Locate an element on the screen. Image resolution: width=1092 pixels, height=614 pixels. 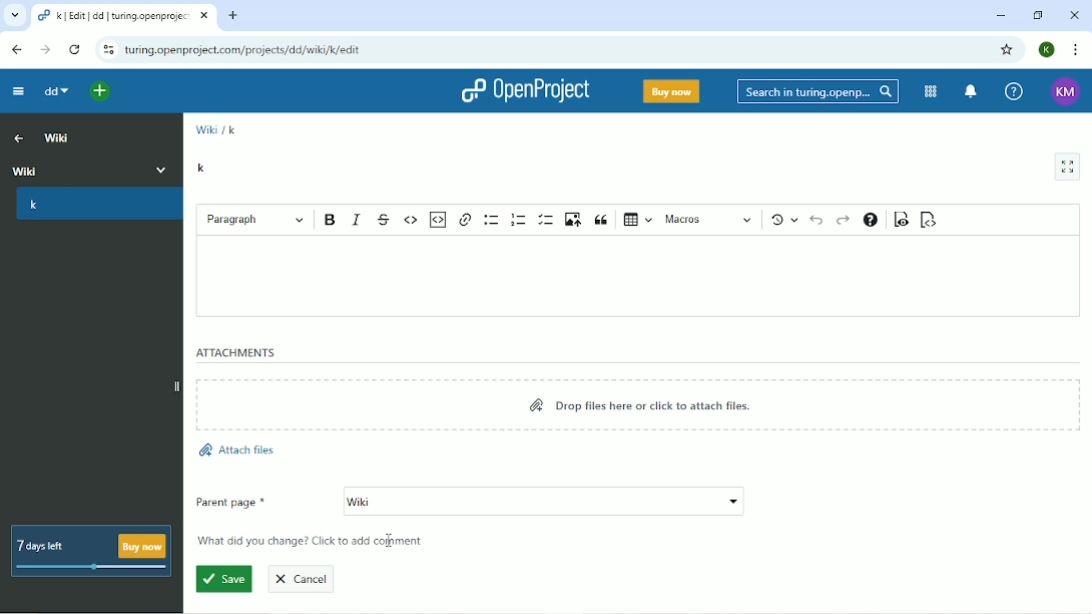
Toggle preview mode is located at coordinates (899, 221).